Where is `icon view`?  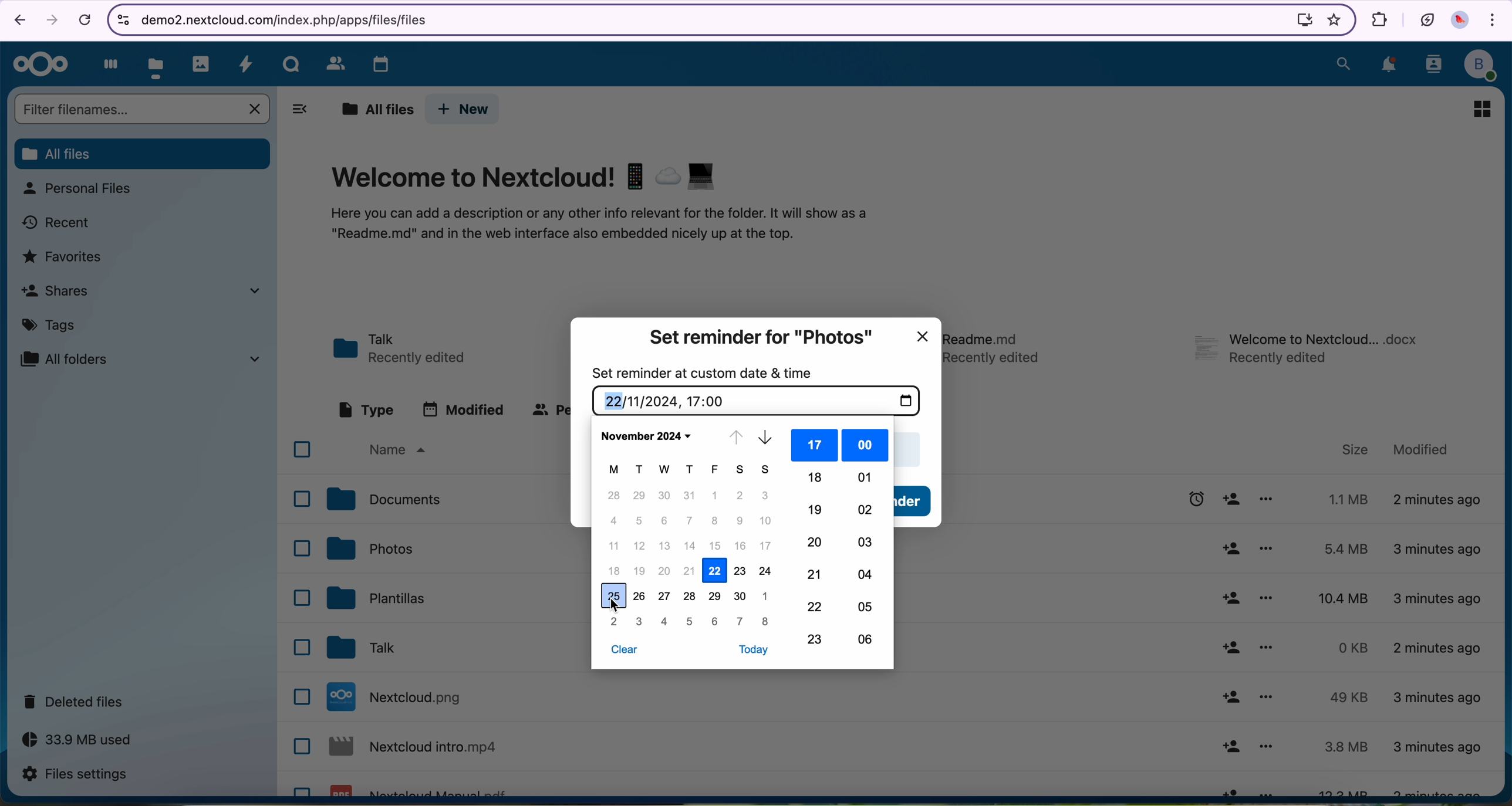 icon view is located at coordinates (1481, 109).